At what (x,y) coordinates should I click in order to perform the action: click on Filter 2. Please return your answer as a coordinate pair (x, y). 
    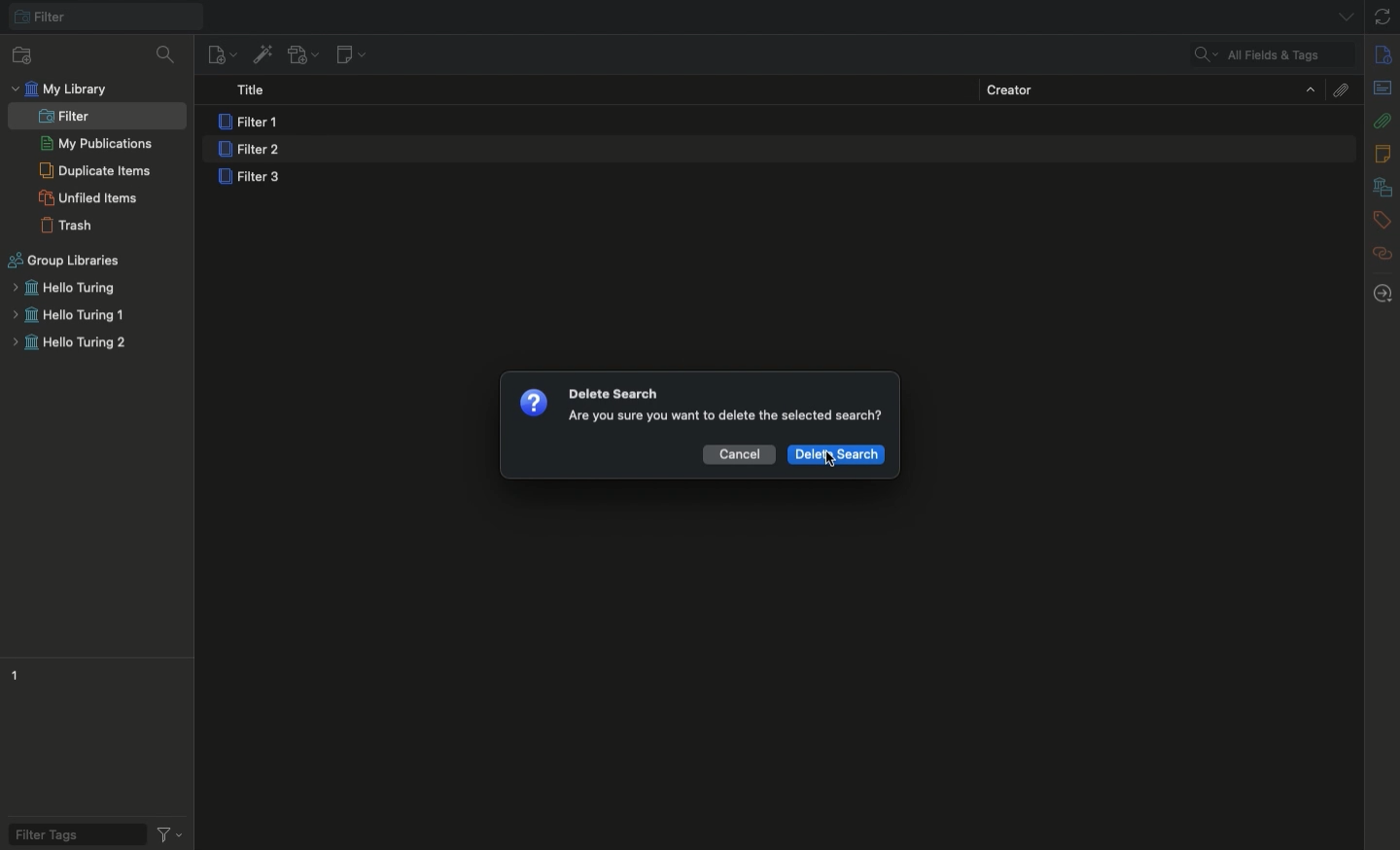
    Looking at the image, I should click on (248, 151).